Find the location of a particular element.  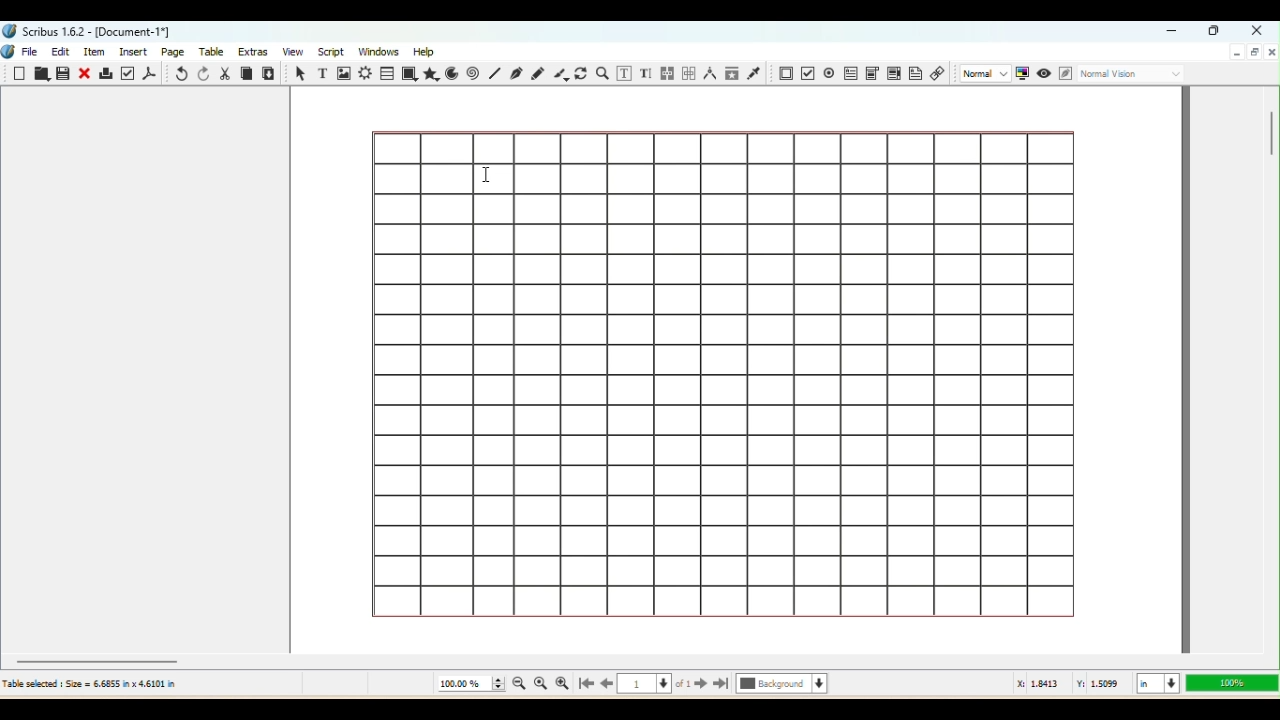

Print is located at coordinates (106, 75).